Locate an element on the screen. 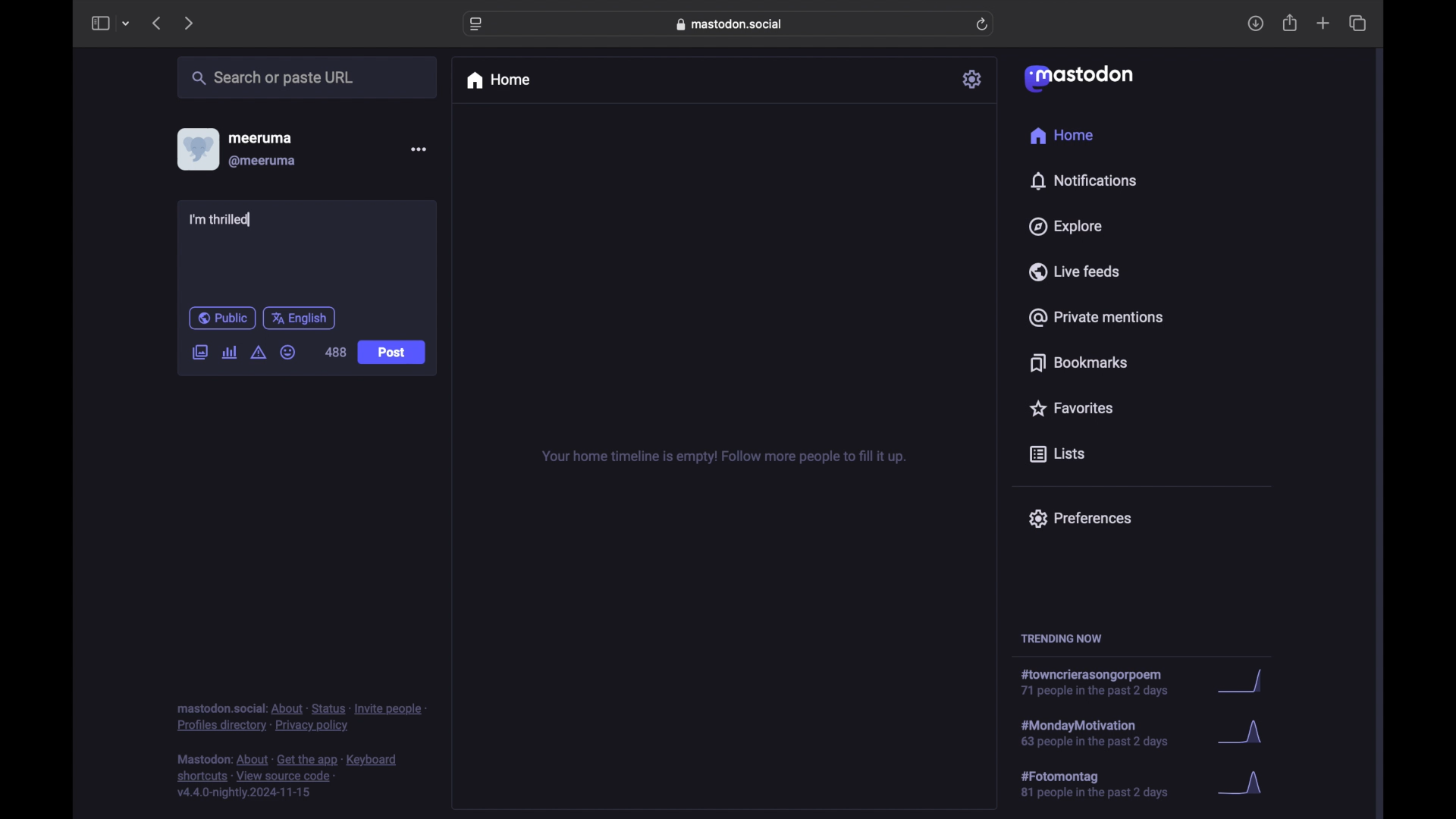 The image size is (1456, 819). home is located at coordinates (497, 80).